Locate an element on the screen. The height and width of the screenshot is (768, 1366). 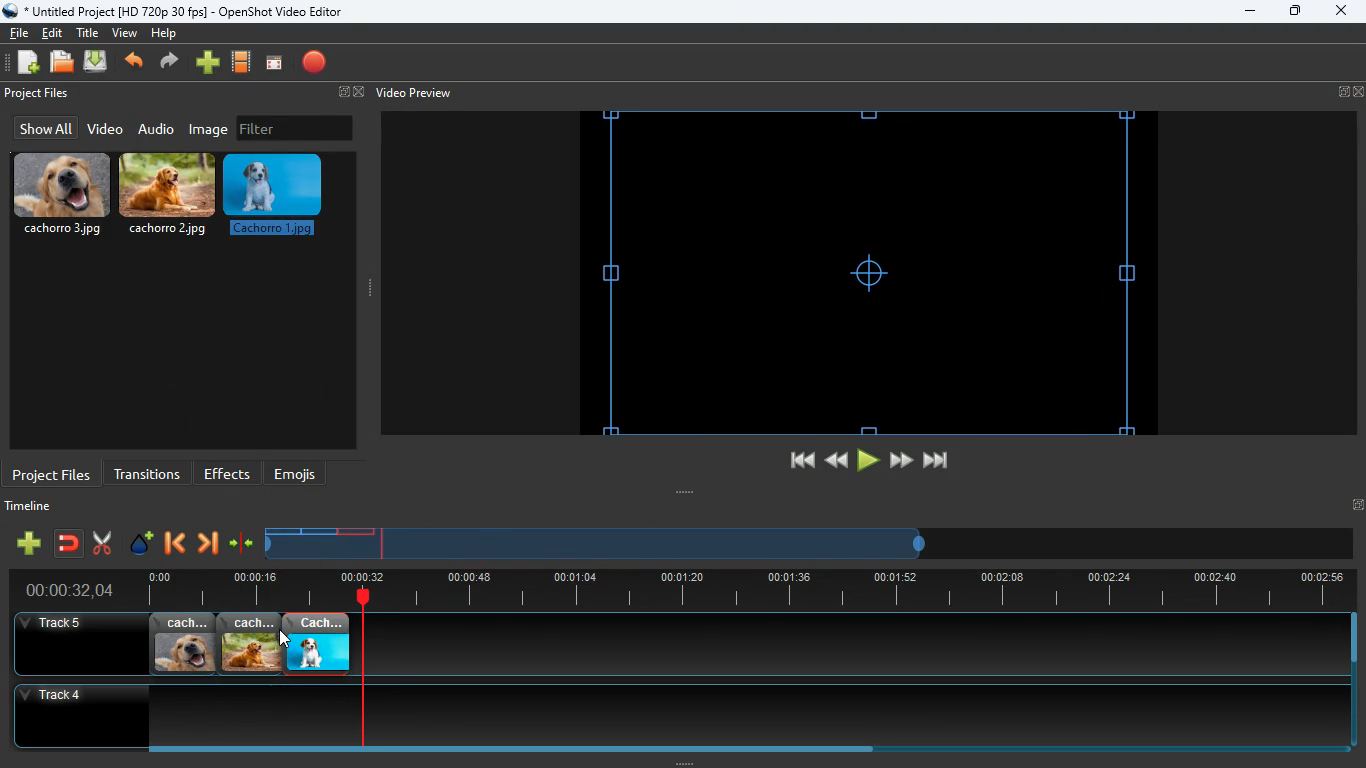
timeline is located at coordinates (33, 509).